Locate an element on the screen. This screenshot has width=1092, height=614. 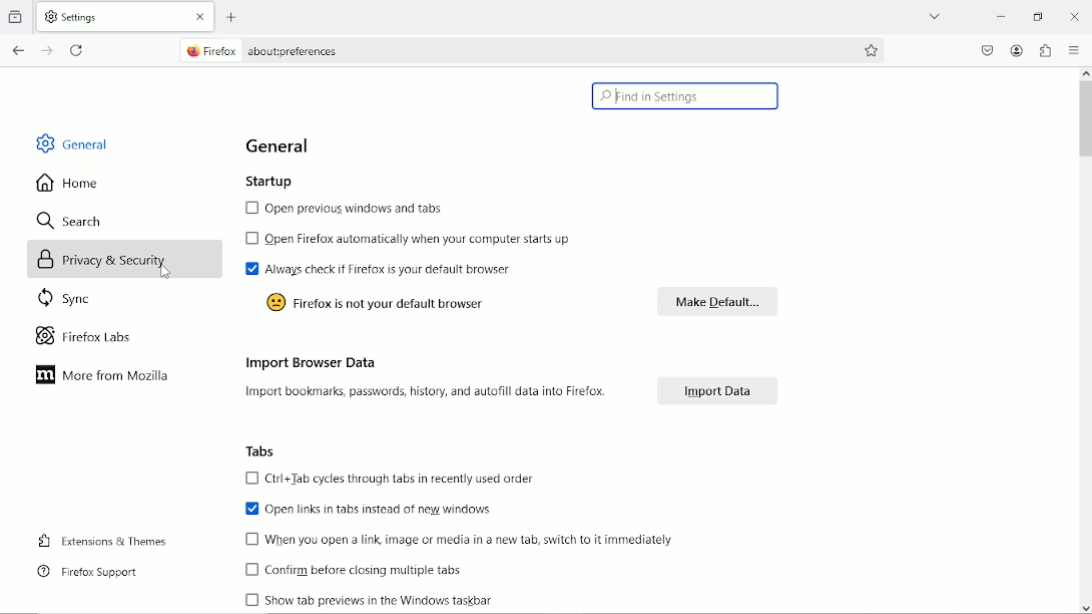
firefox labs is located at coordinates (81, 337).